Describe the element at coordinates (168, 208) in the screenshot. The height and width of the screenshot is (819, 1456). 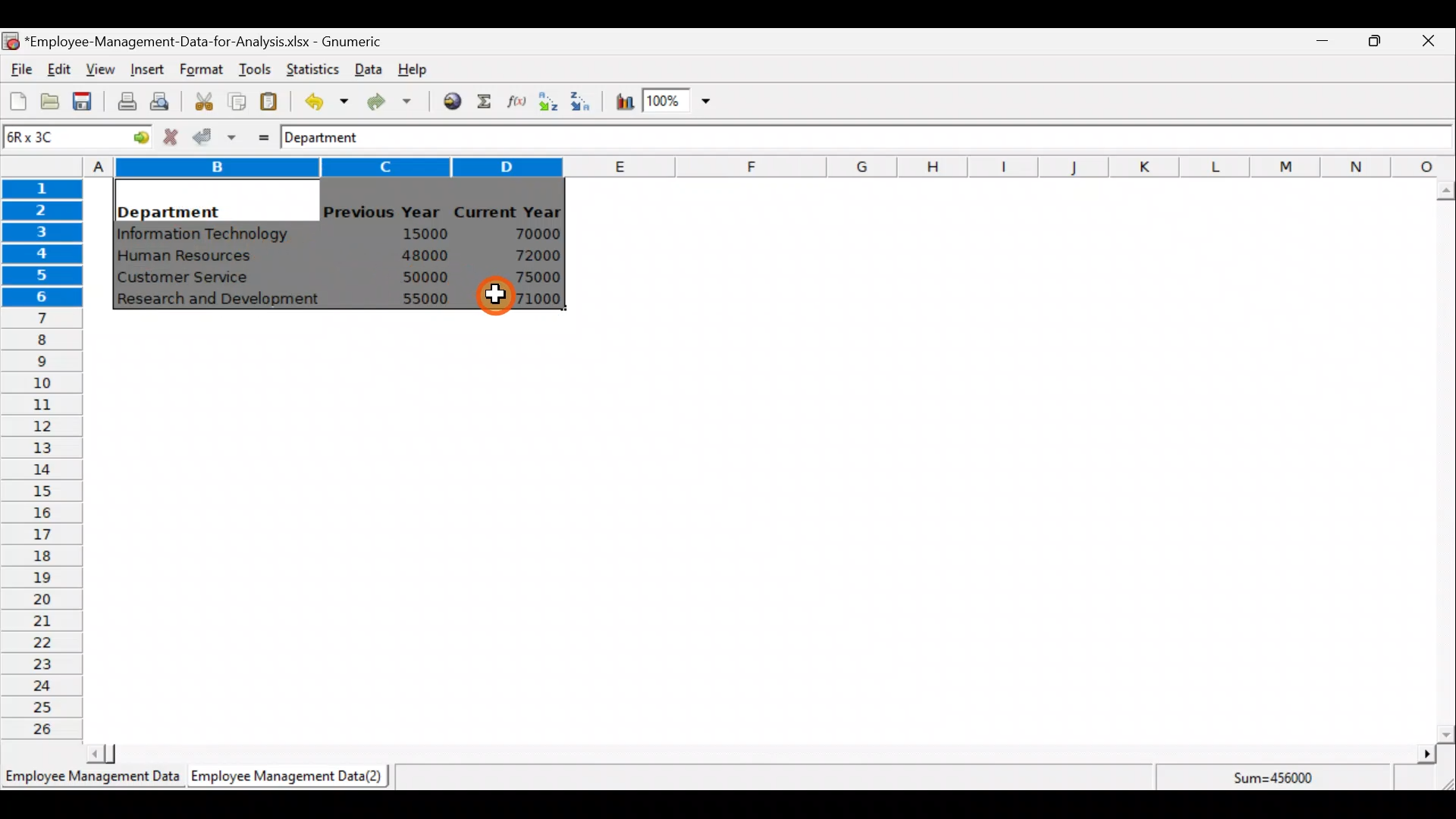
I see `Department` at that location.